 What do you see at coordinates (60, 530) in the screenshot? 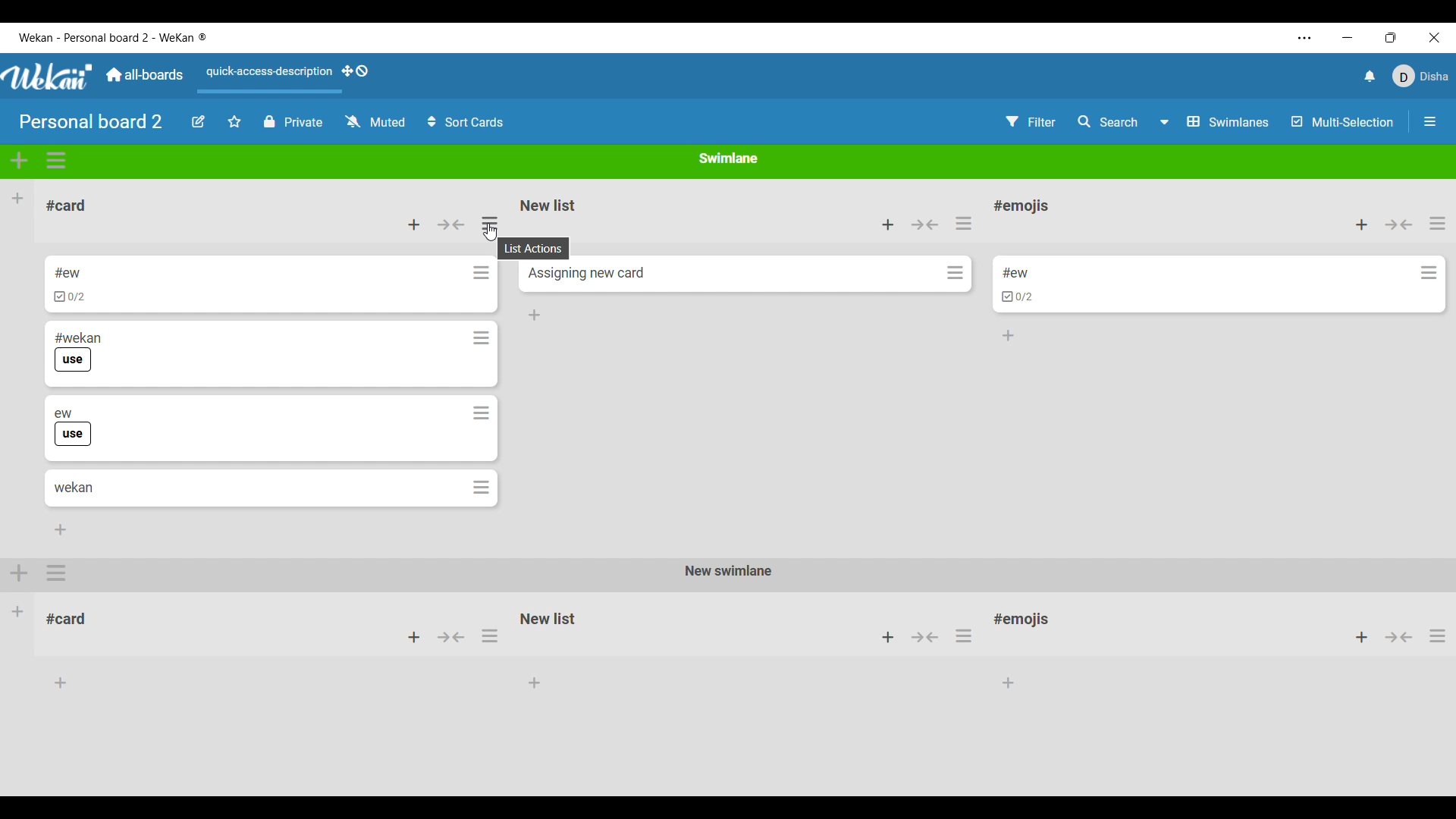
I see `Add card to bottom of list` at bounding box center [60, 530].